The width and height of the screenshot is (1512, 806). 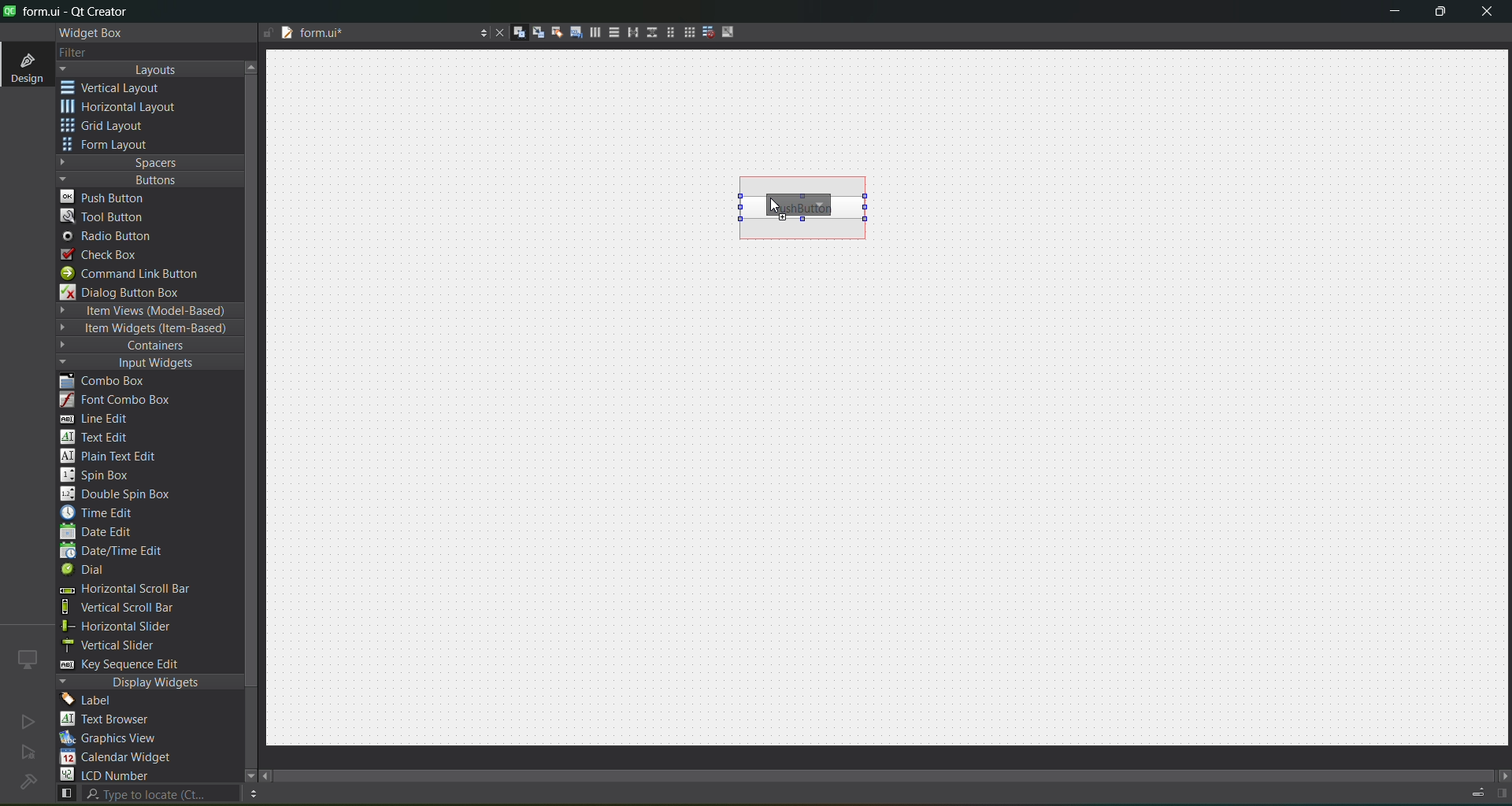 What do you see at coordinates (102, 419) in the screenshot?
I see `line edit ` at bounding box center [102, 419].